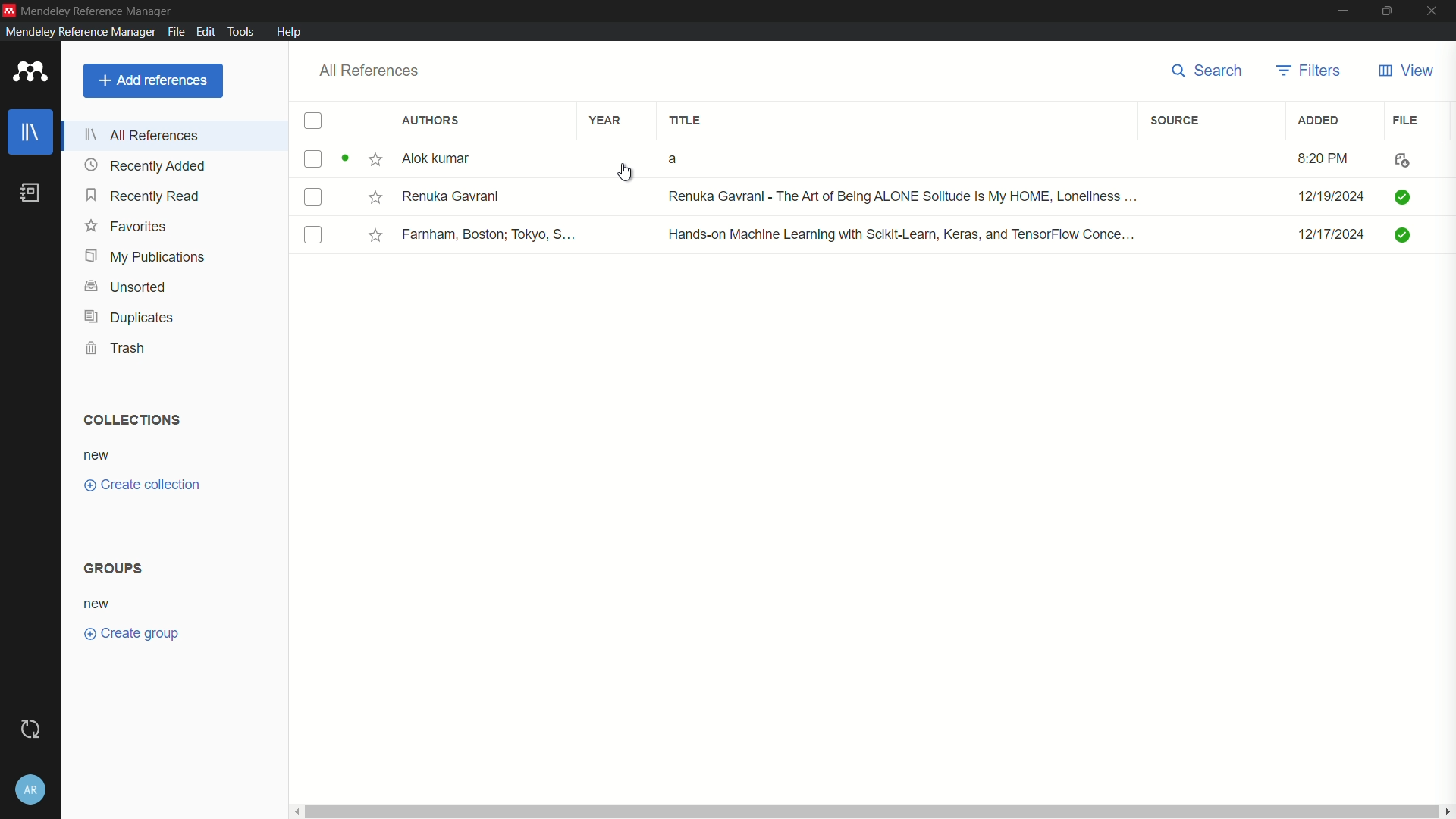  Describe the element at coordinates (238, 31) in the screenshot. I see `tools menu` at that location.